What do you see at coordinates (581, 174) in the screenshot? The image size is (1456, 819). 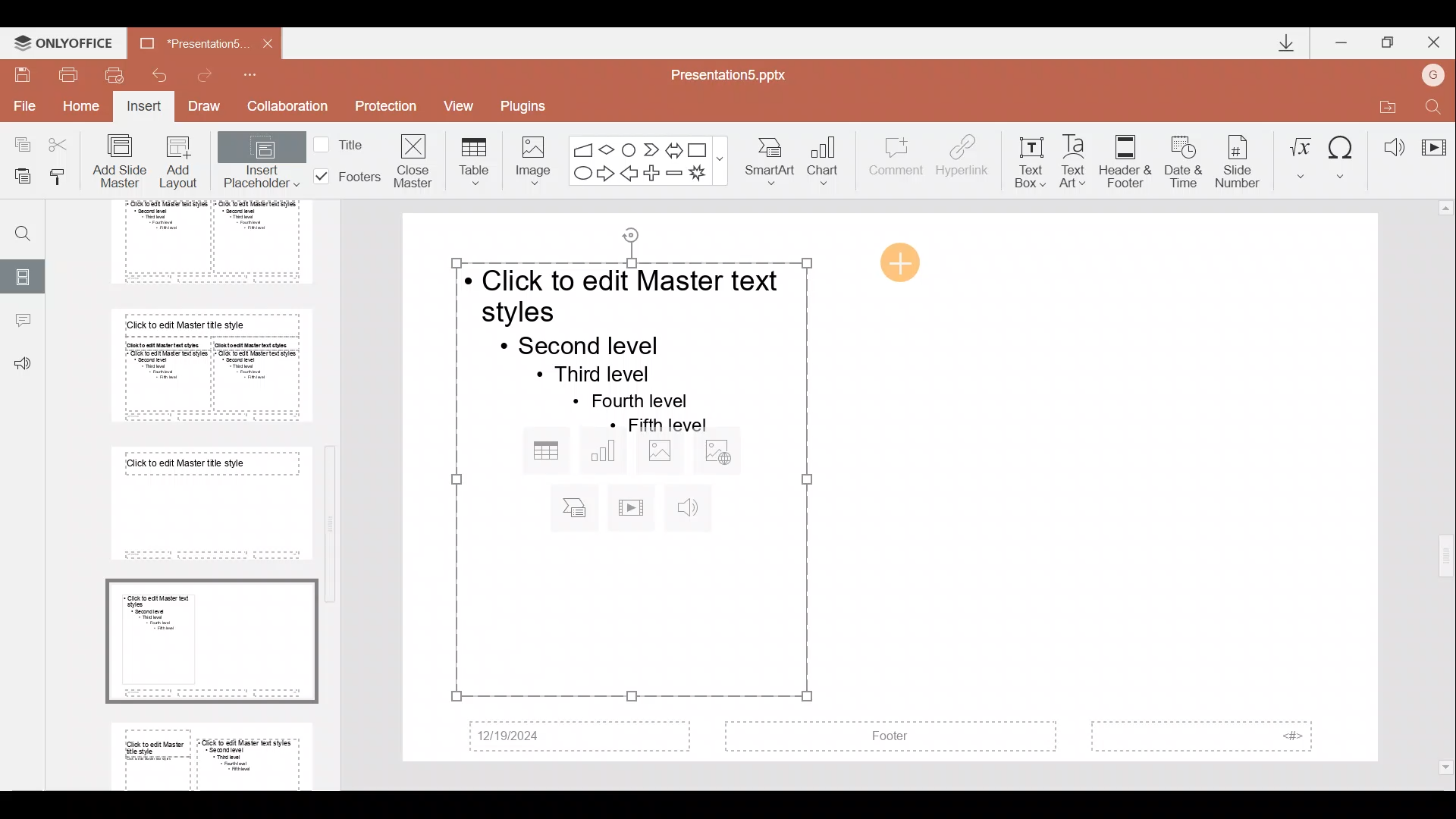 I see `Ellipse` at bounding box center [581, 174].